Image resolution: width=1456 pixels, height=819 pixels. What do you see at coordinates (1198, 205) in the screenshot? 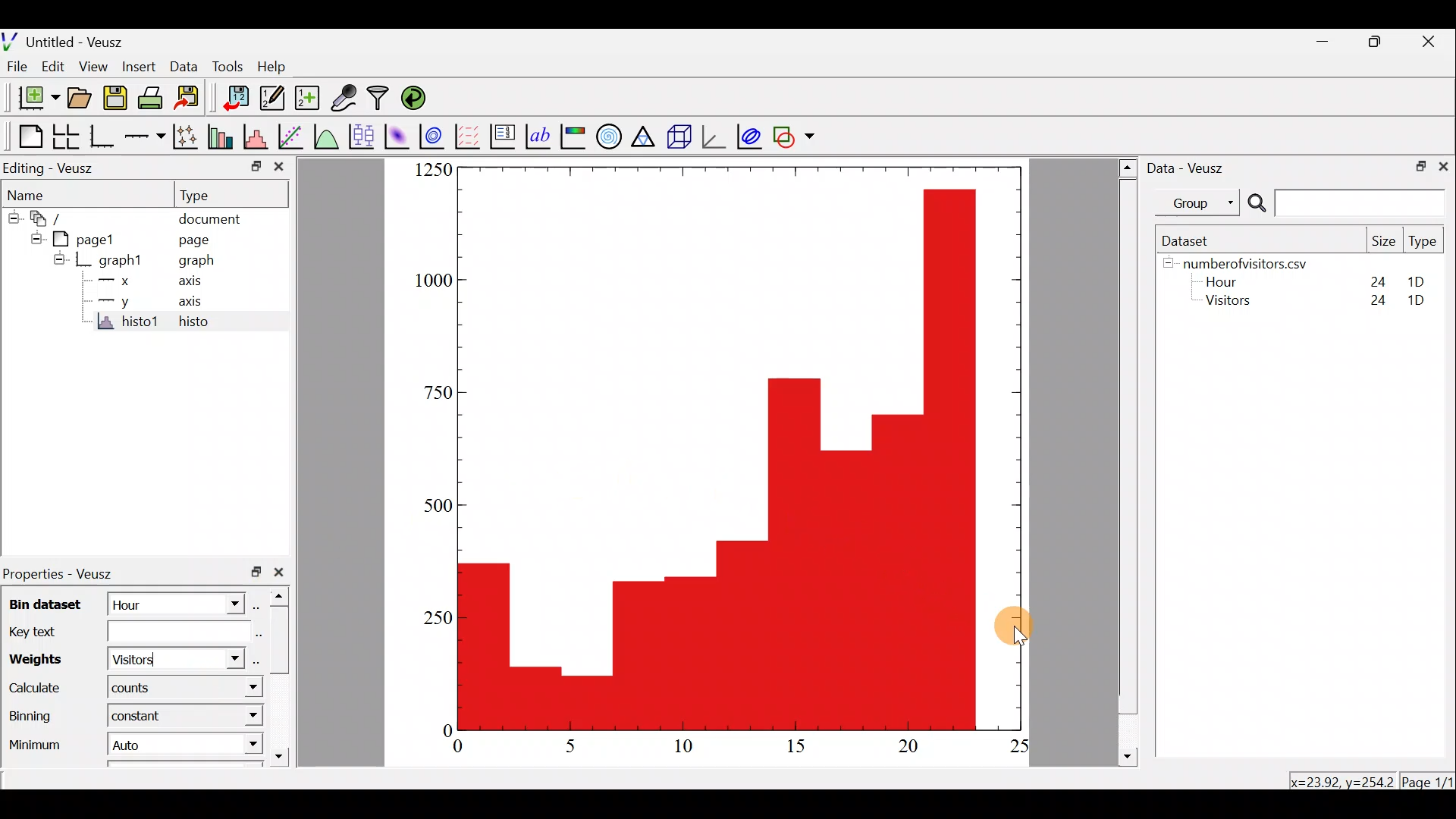
I see `Group` at bounding box center [1198, 205].